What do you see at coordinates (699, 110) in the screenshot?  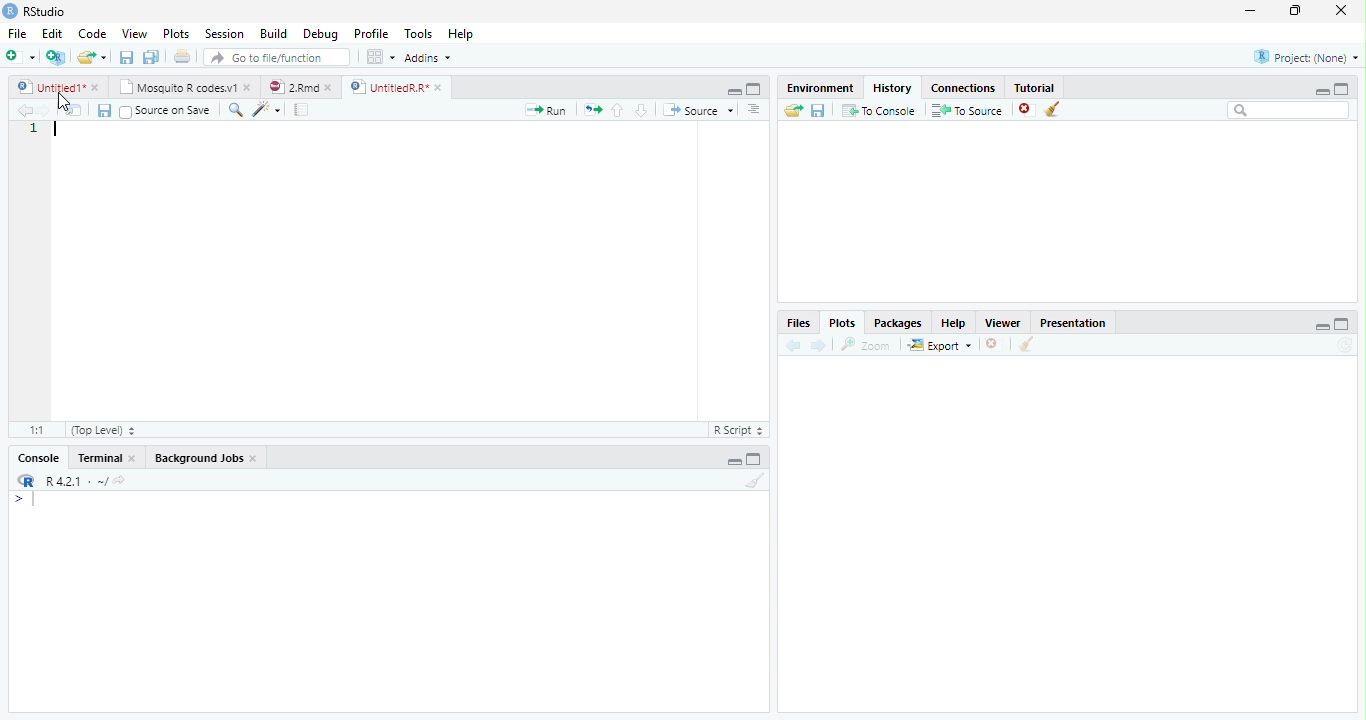 I see `Source` at bounding box center [699, 110].